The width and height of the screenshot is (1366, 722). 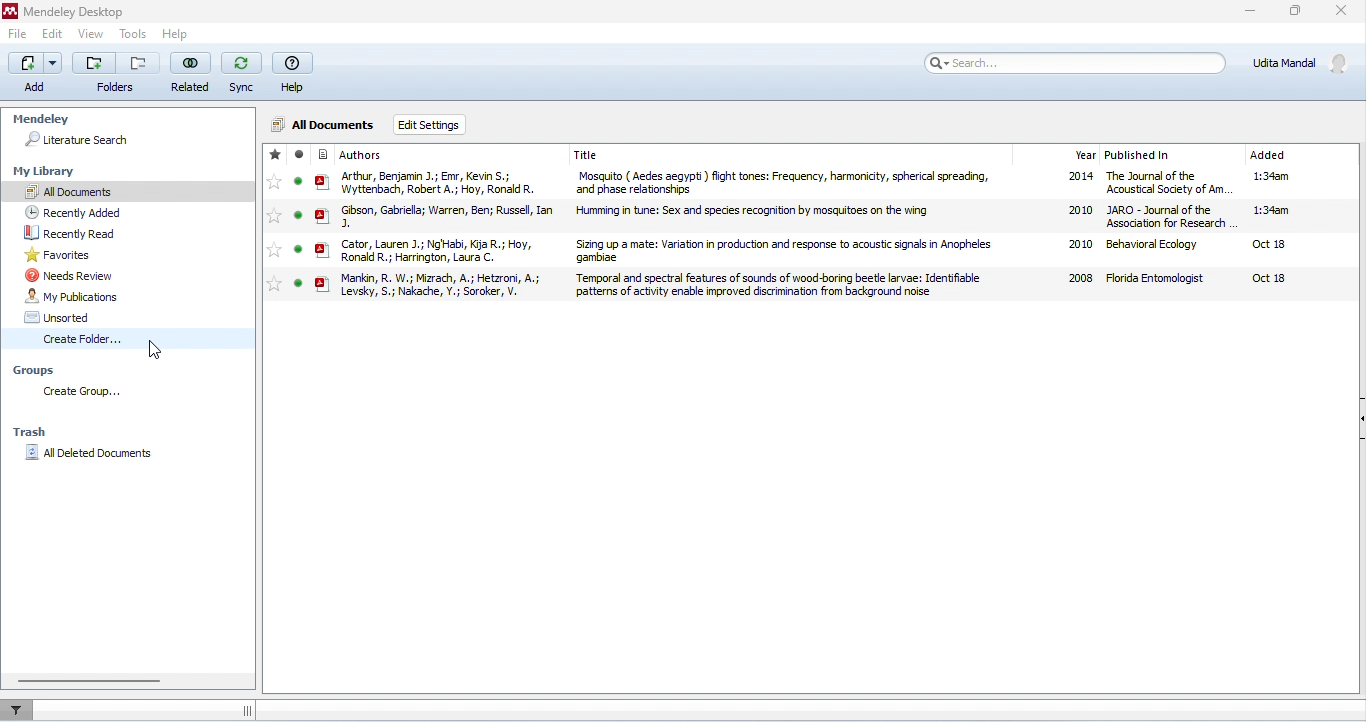 I want to click on show or hide document details, so click(x=1357, y=421).